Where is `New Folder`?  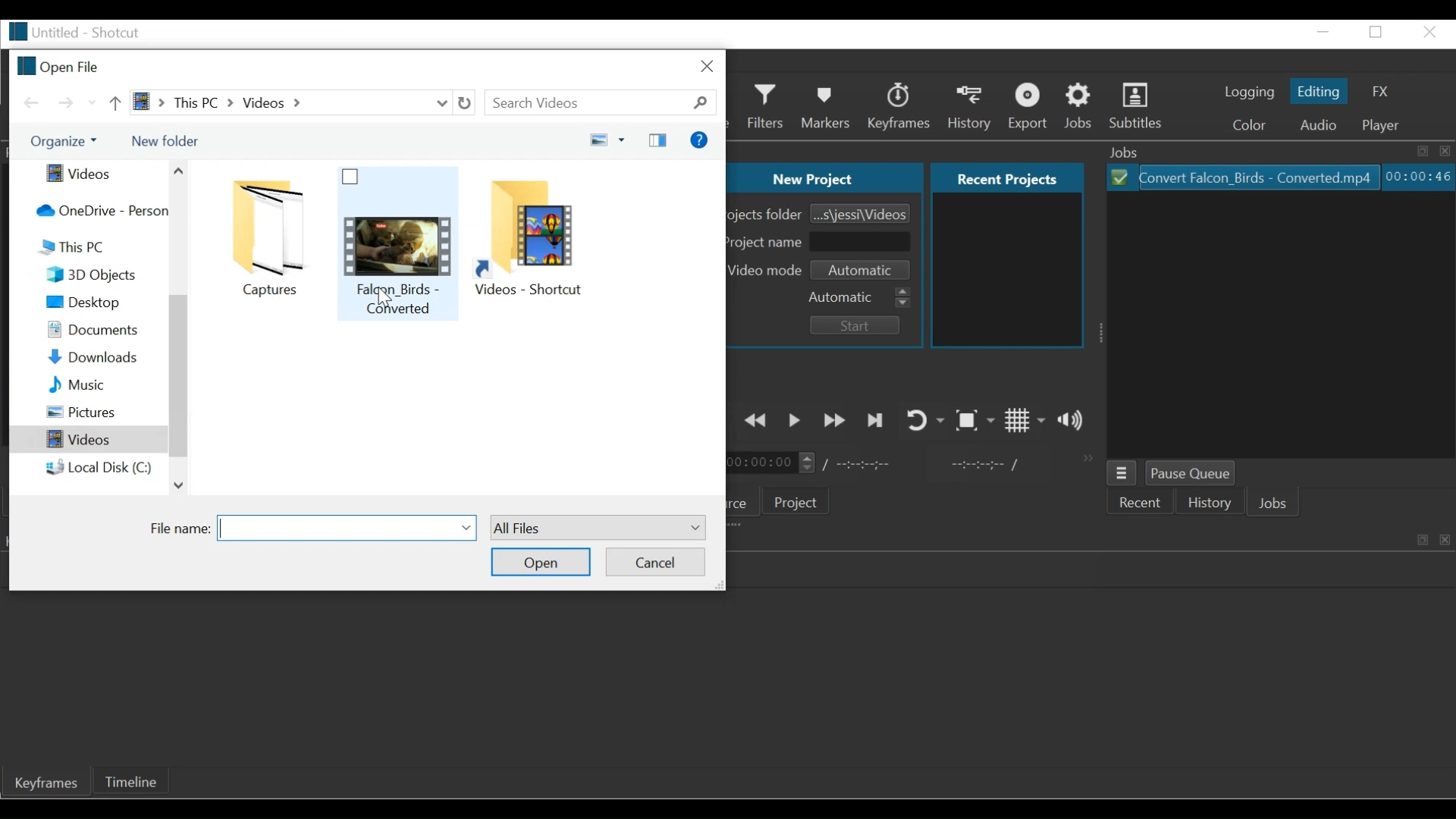 New Folder is located at coordinates (162, 140).